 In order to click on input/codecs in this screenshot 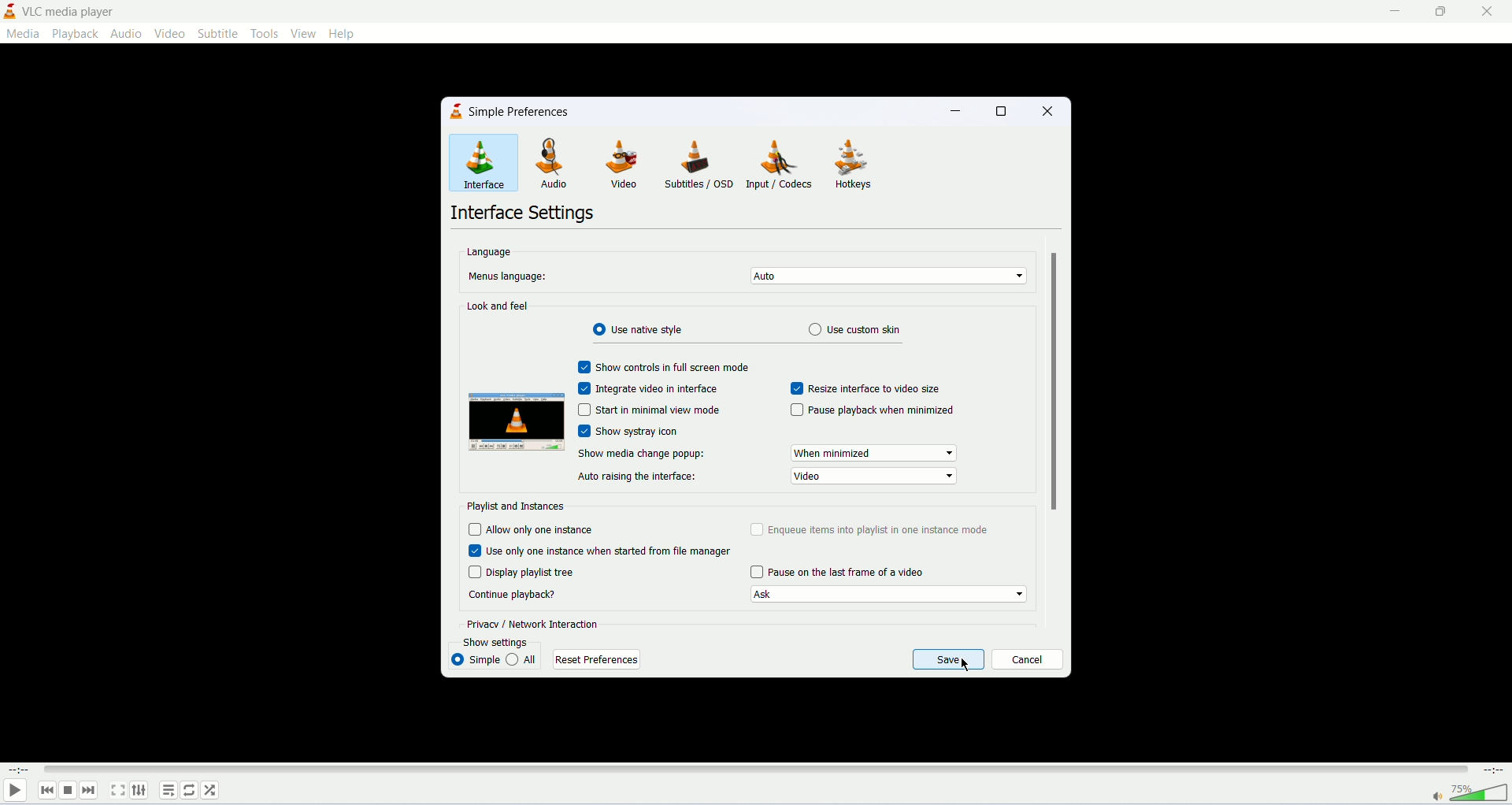, I will do `click(779, 163)`.